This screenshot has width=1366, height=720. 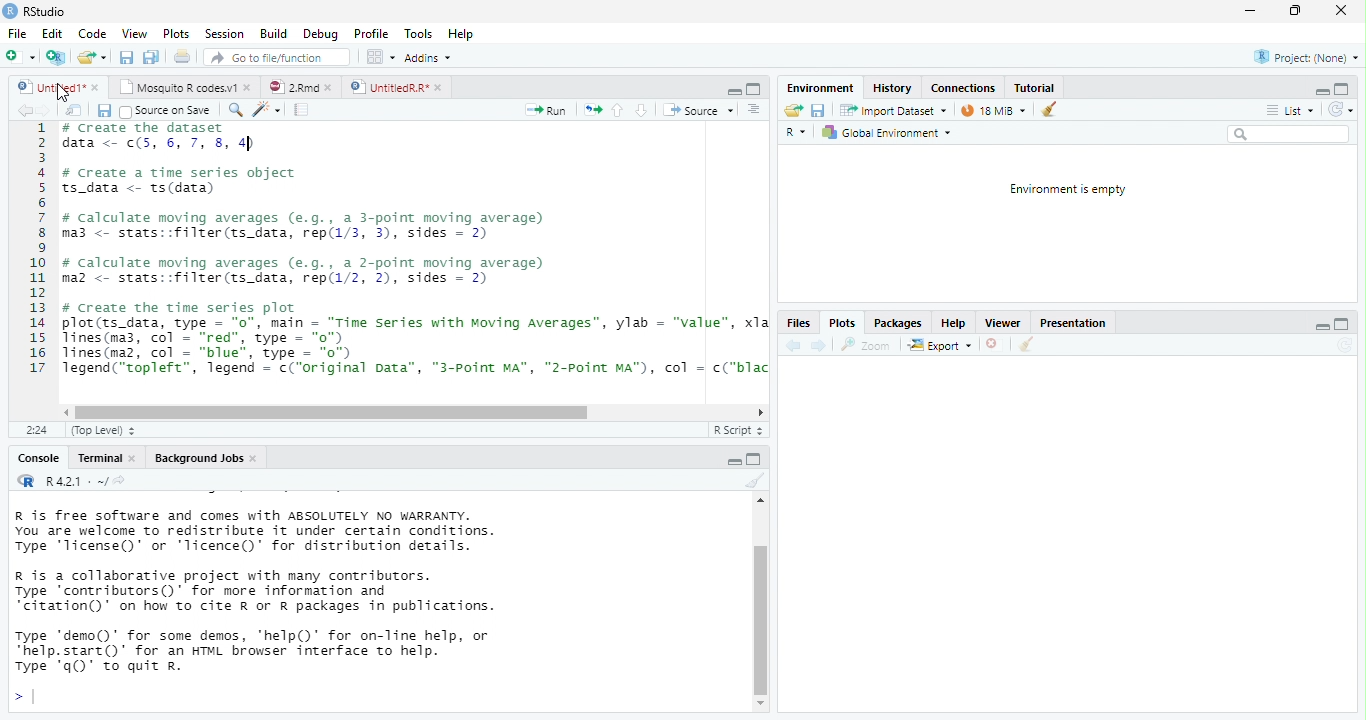 I want to click on close, so click(x=995, y=346).